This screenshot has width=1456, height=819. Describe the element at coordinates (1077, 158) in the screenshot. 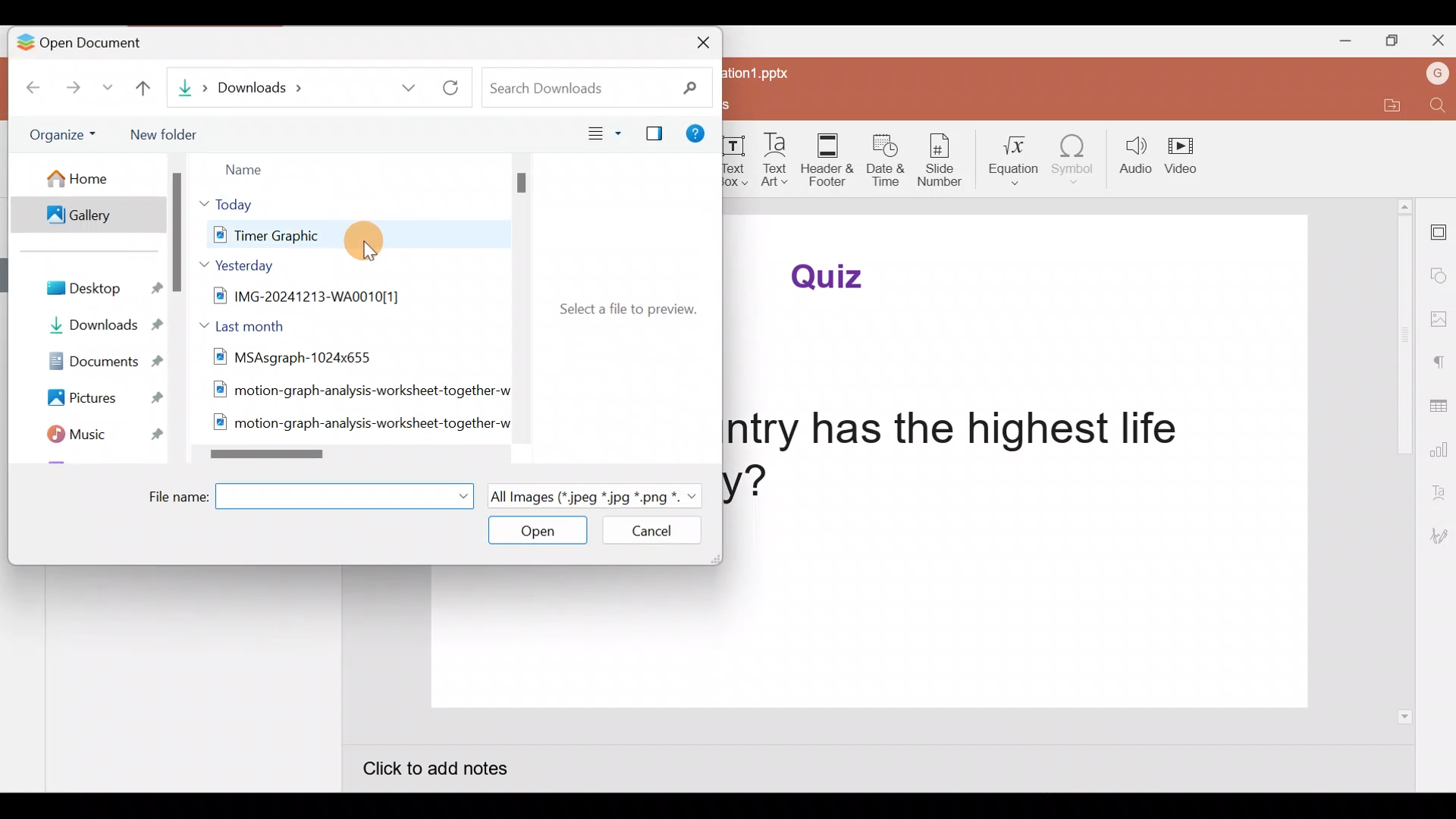

I see `Symbol` at that location.